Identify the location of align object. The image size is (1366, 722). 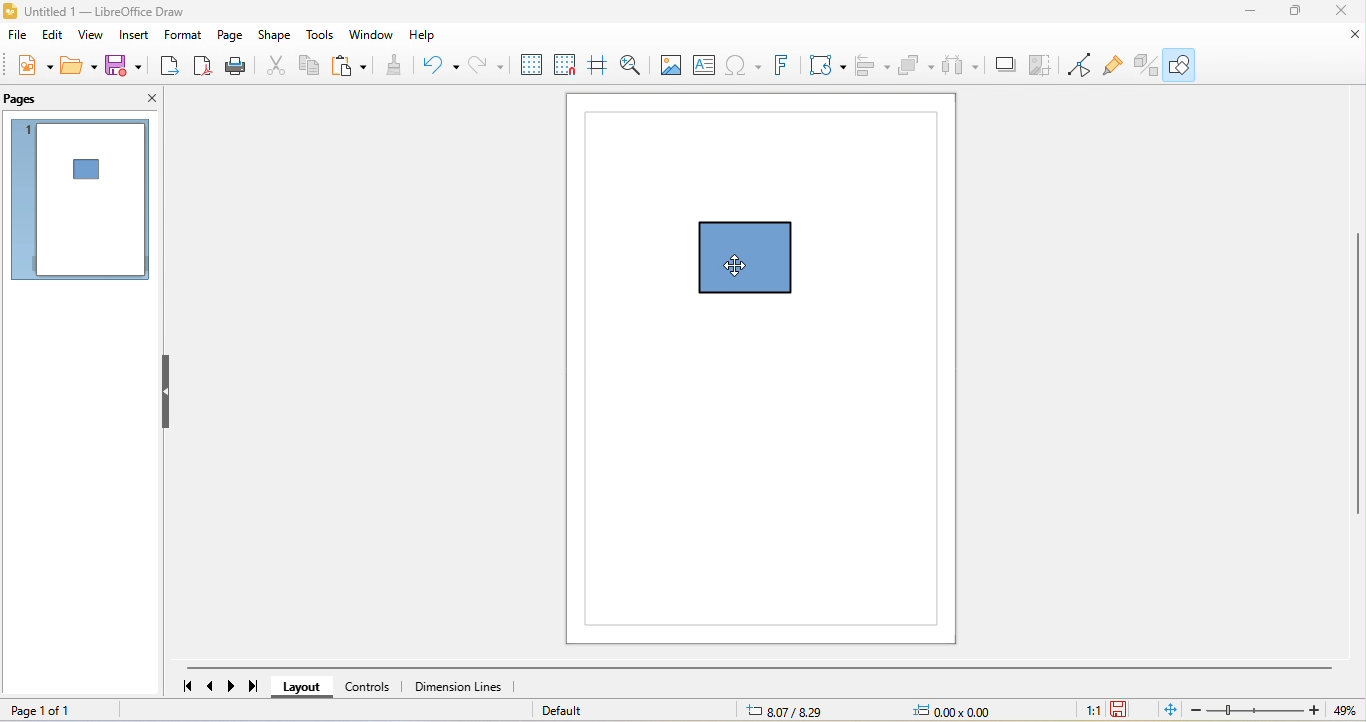
(875, 67).